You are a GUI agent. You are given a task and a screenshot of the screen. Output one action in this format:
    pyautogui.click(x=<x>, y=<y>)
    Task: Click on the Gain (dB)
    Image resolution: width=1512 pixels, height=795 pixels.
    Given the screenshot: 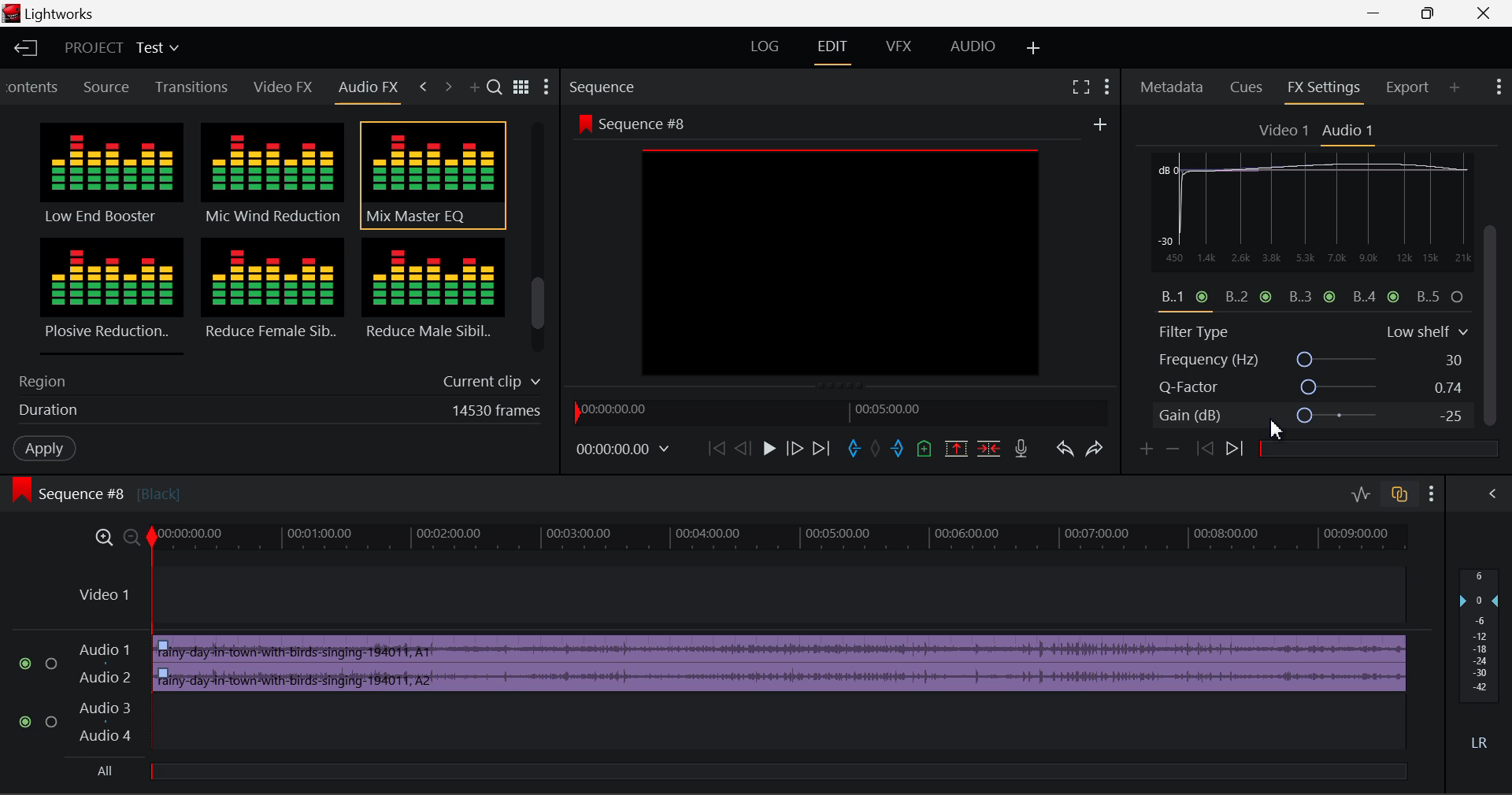 What is the action you would take?
    pyautogui.click(x=1310, y=416)
    